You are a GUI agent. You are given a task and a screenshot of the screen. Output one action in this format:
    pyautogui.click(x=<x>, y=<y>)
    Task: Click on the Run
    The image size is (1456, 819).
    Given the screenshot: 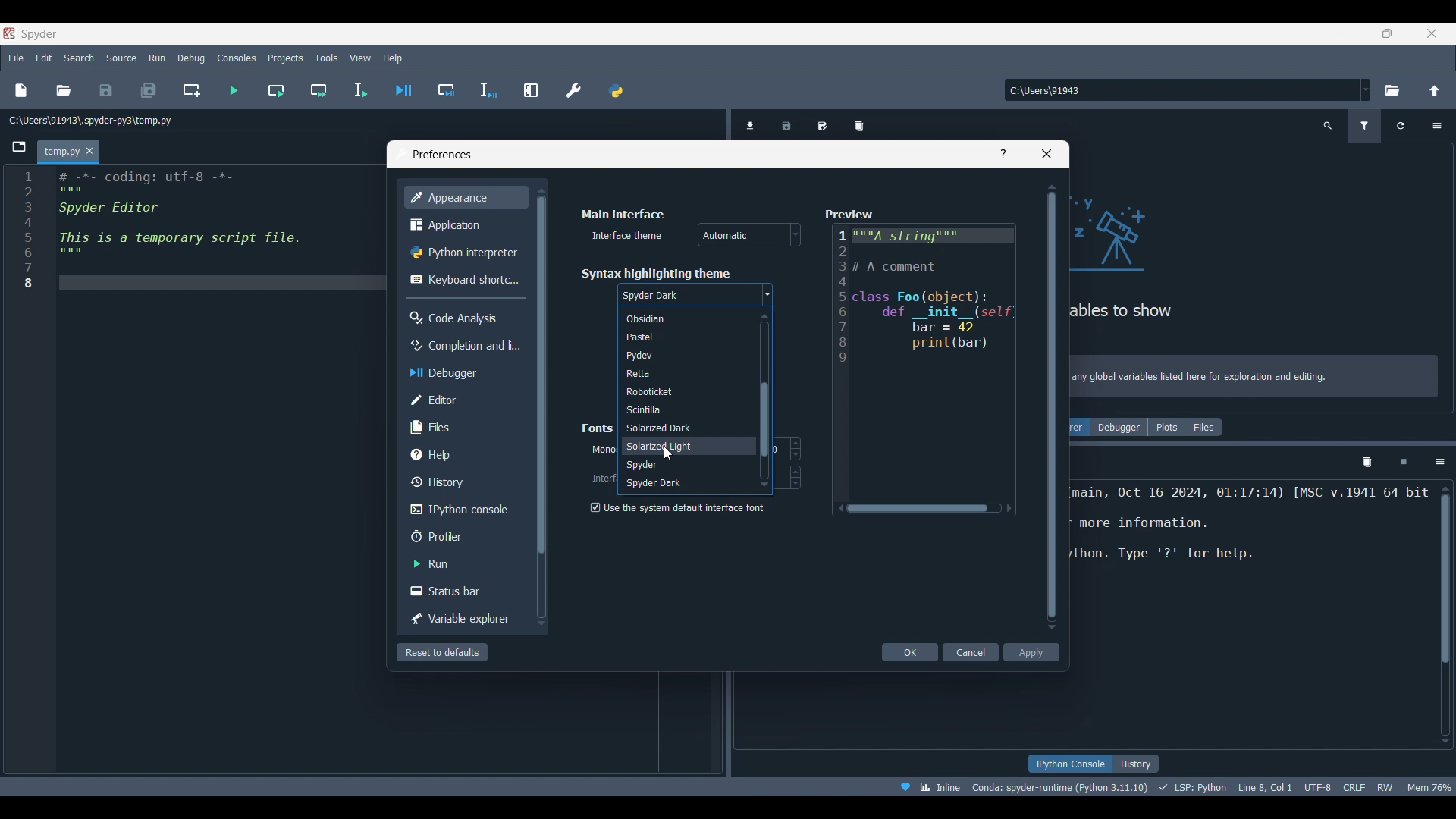 What is the action you would take?
    pyautogui.click(x=464, y=563)
    